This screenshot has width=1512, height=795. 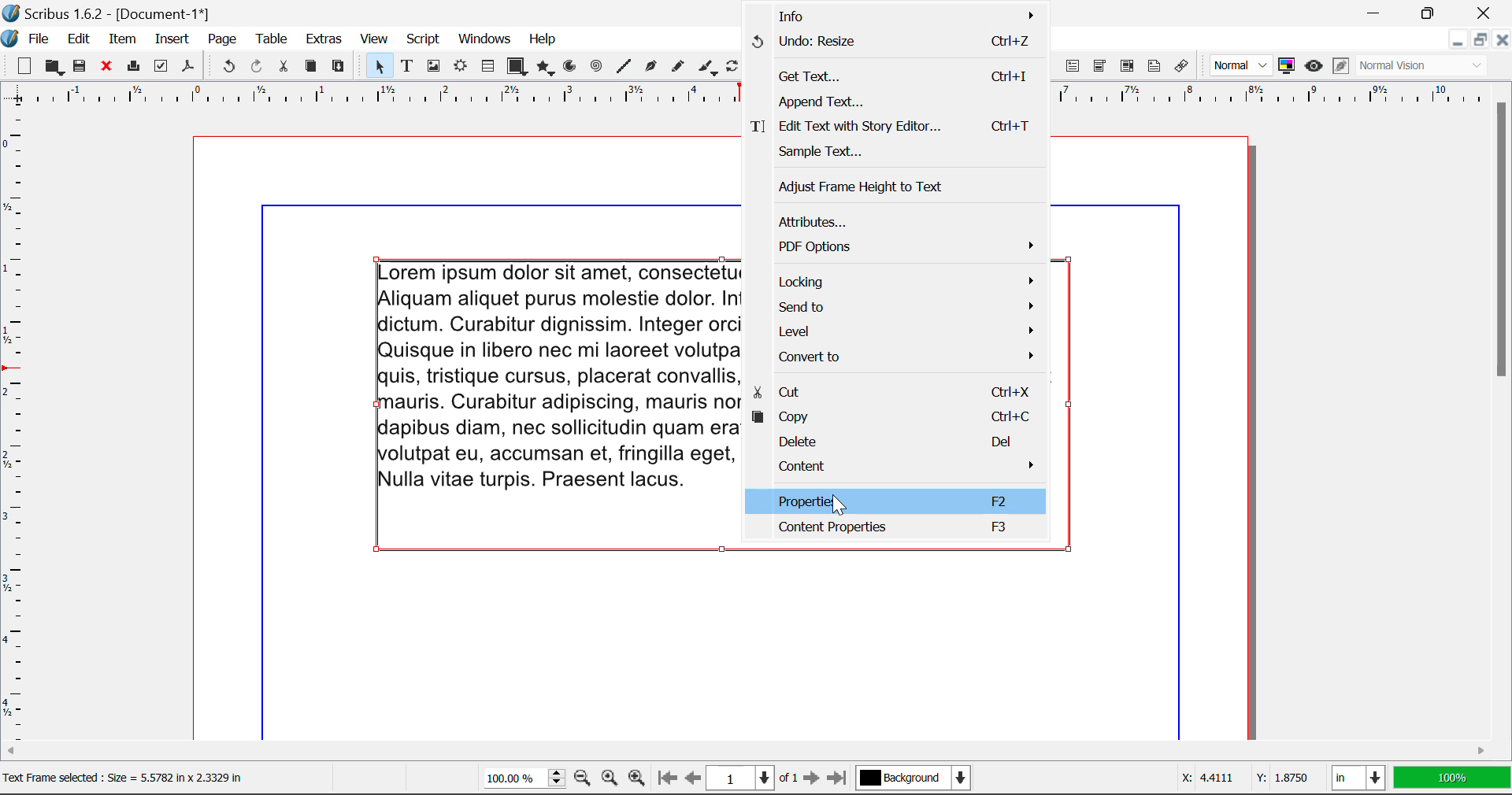 I want to click on Save as Pdf, so click(x=188, y=68).